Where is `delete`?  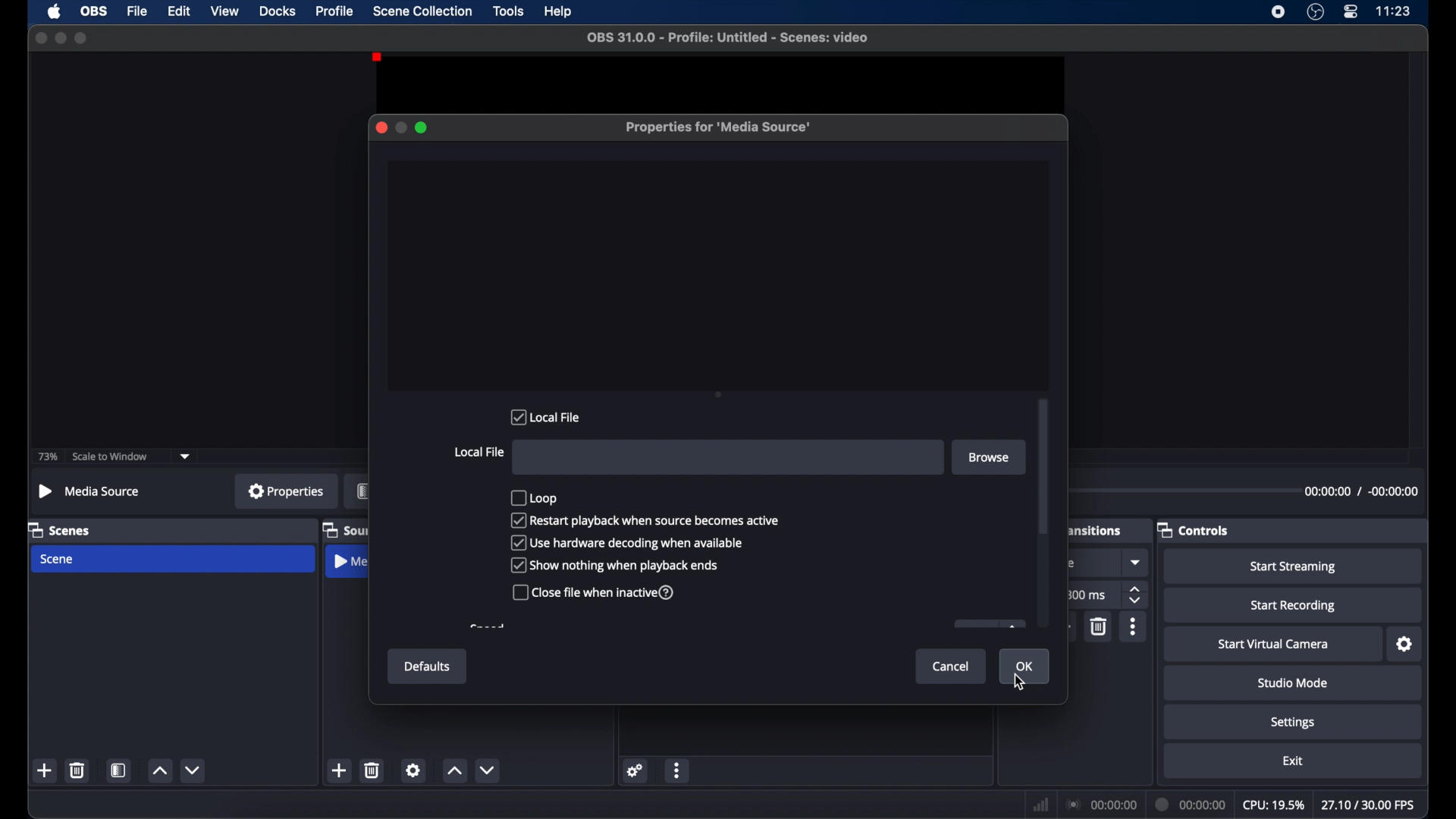 delete is located at coordinates (372, 770).